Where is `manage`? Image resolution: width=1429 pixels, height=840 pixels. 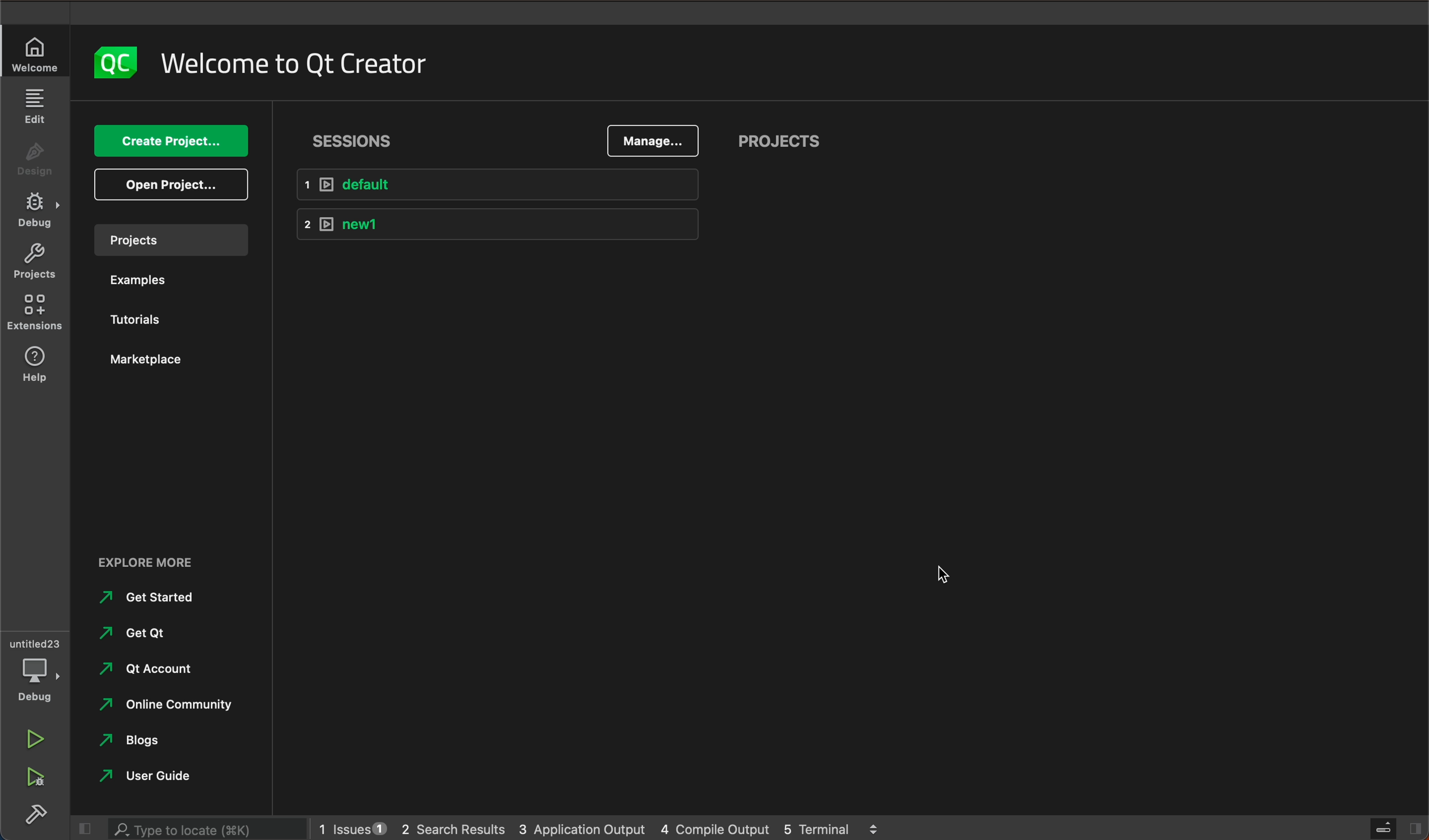
manage is located at coordinates (654, 139).